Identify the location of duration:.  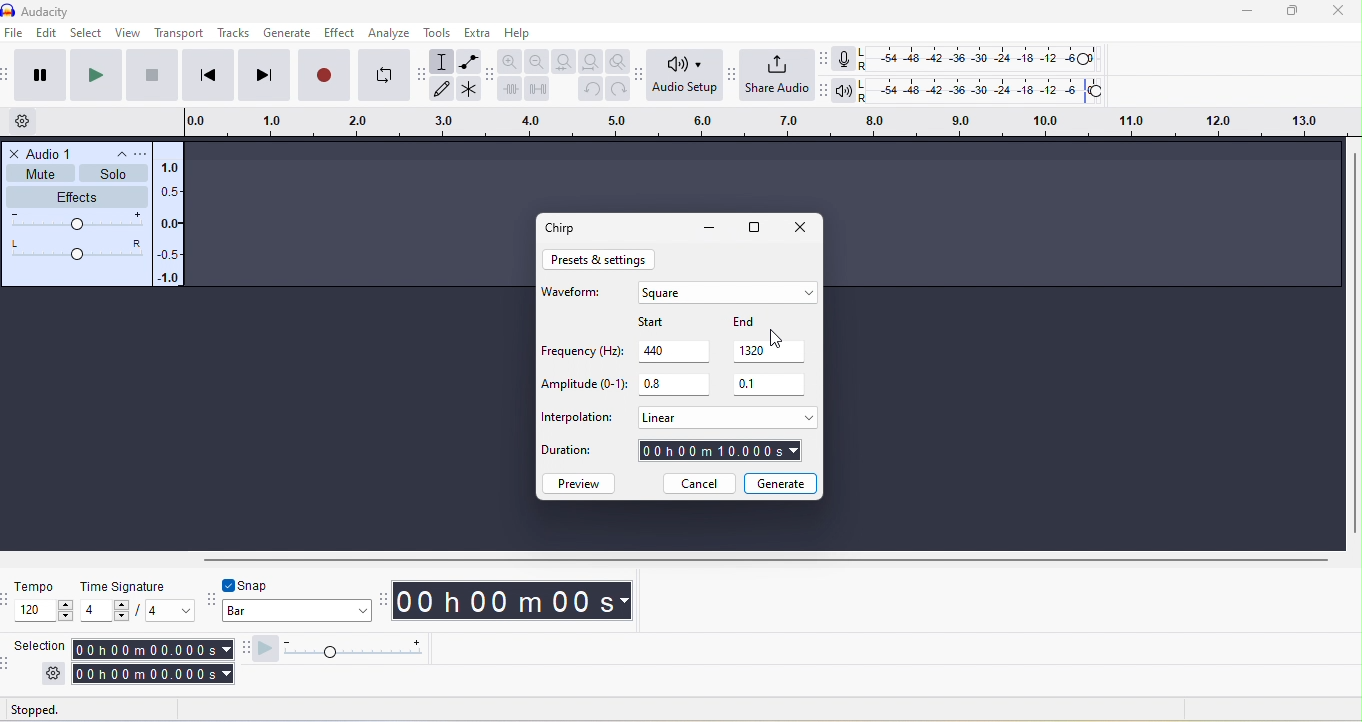
(578, 454).